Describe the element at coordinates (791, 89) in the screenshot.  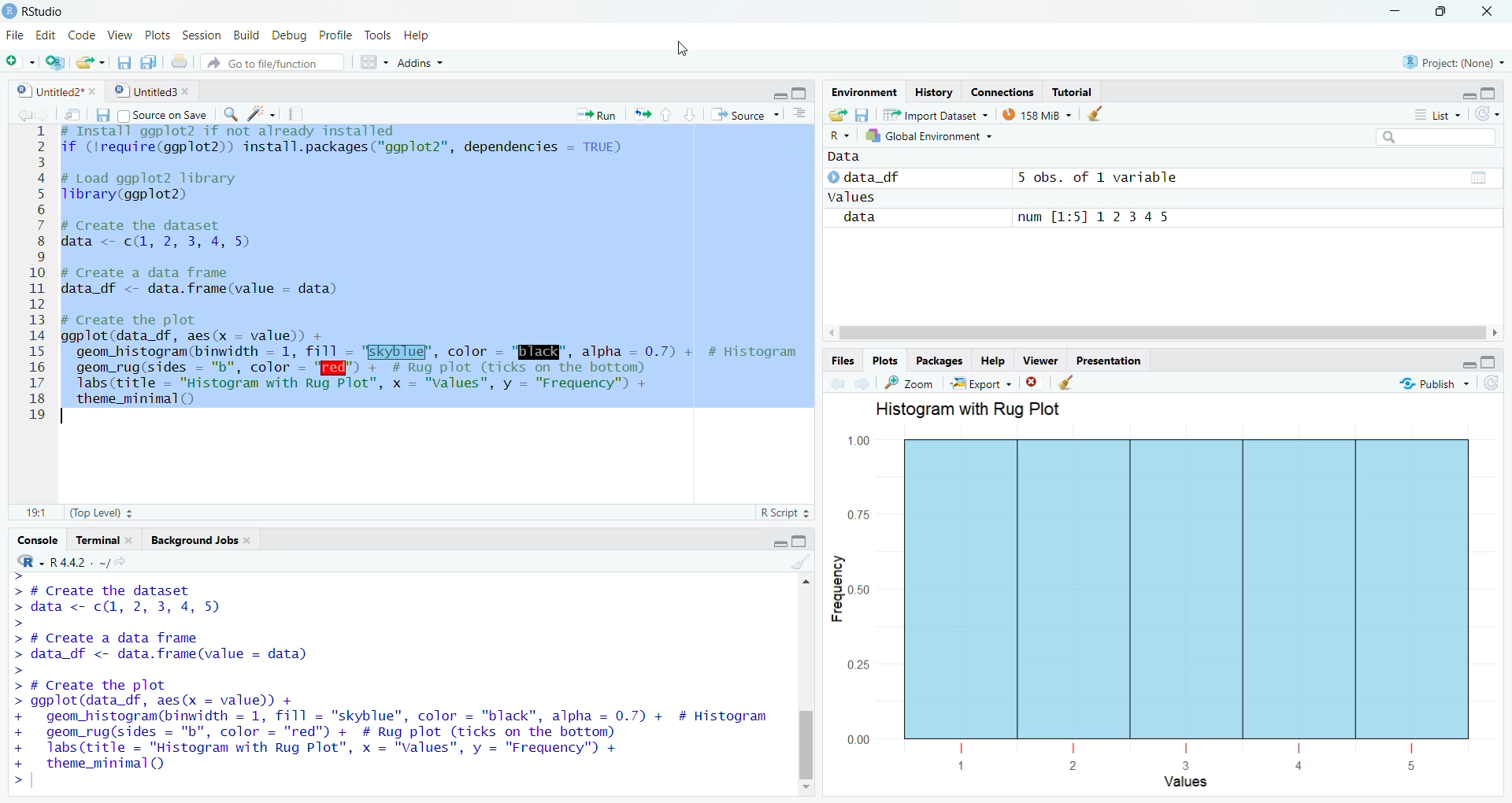
I see `minimize/maximize` at that location.